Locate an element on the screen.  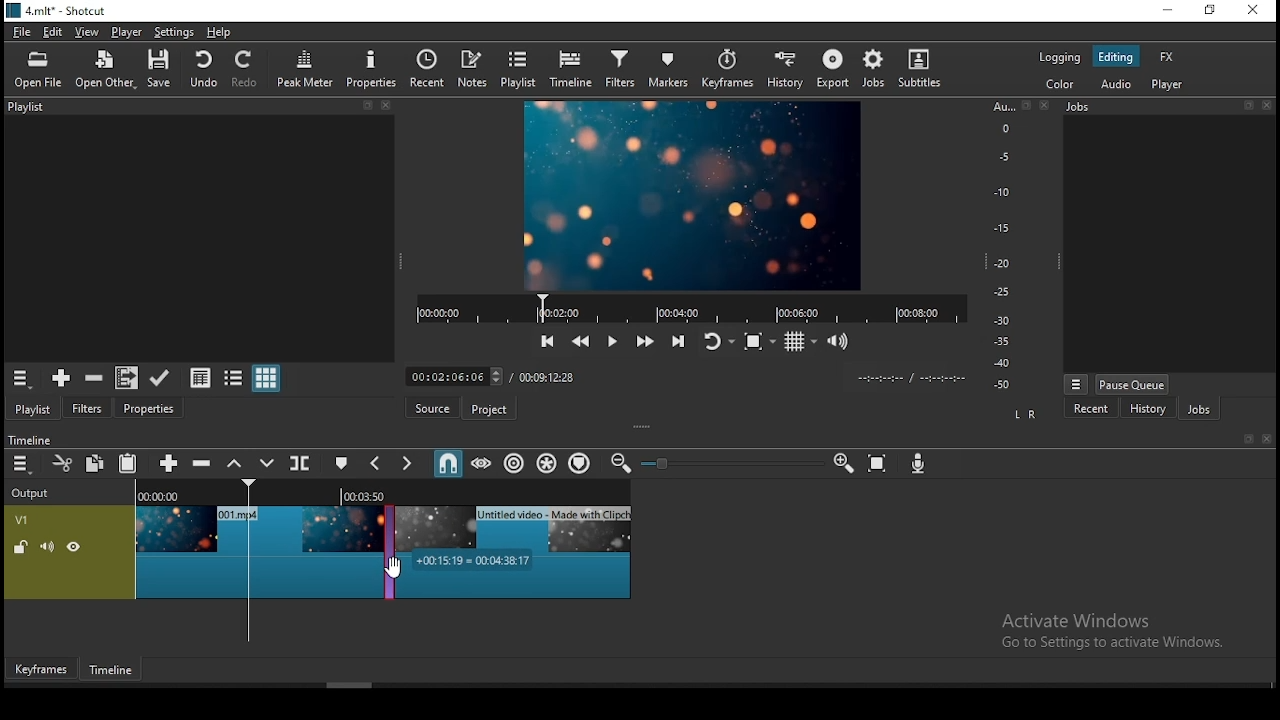
ripple is located at coordinates (515, 462).